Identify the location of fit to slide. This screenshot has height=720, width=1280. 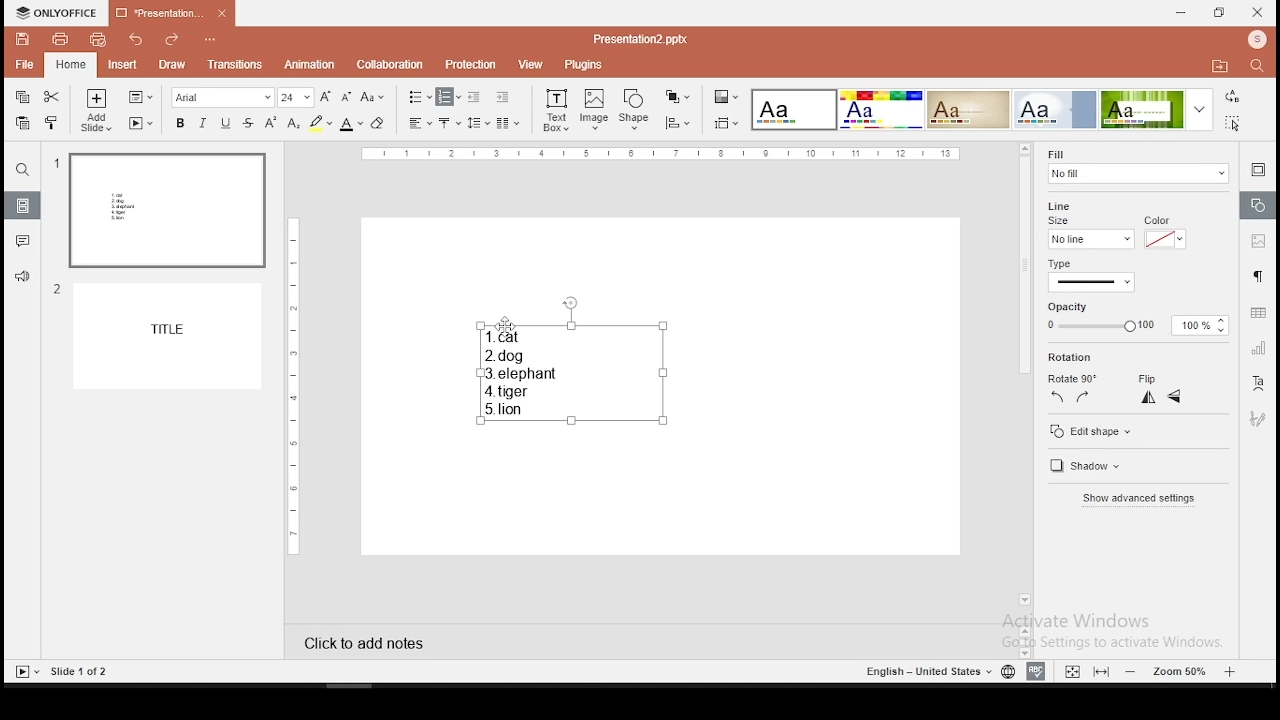
(1072, 669).